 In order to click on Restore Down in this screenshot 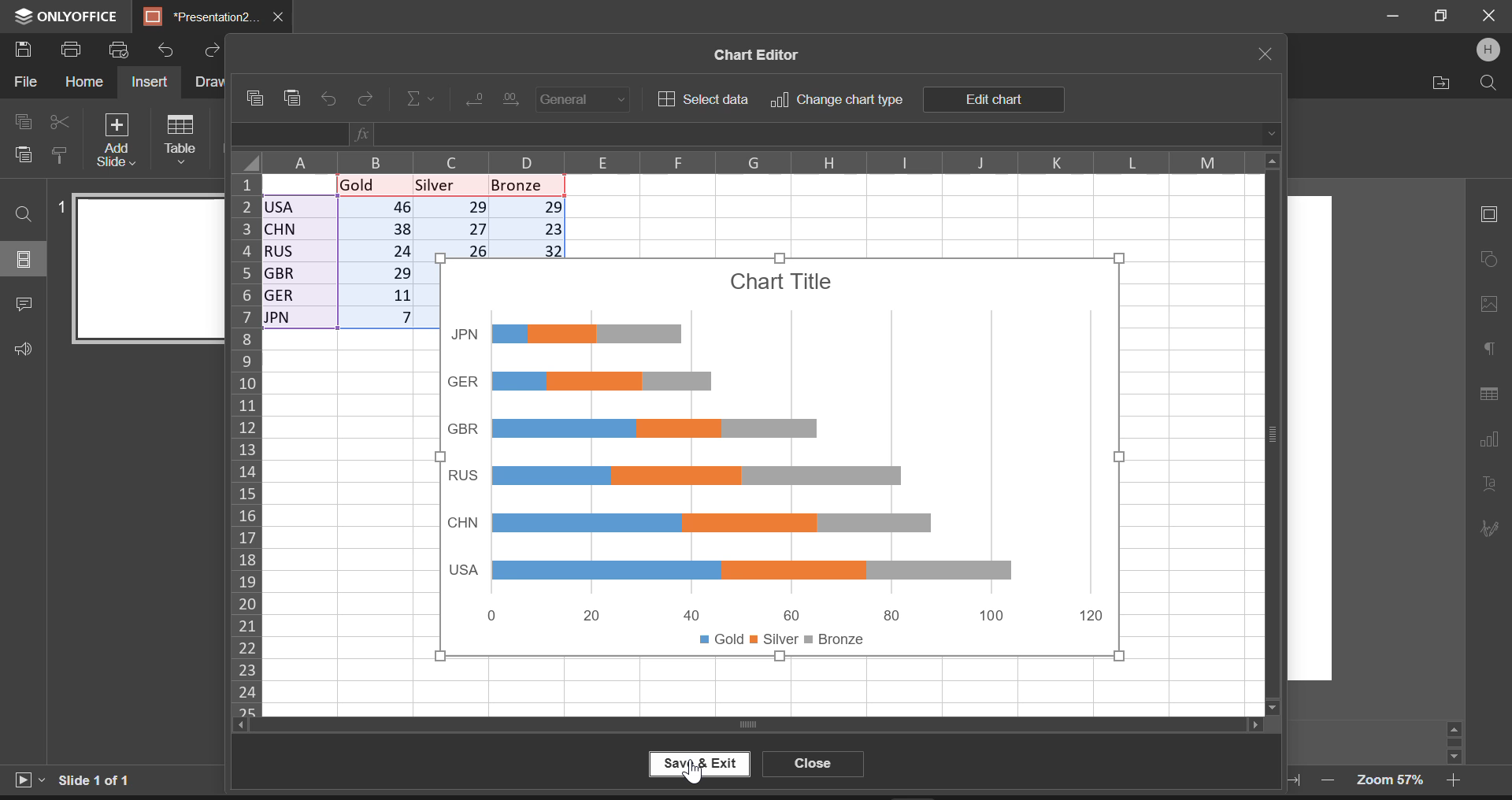, I will do `click(1395, 17)`.